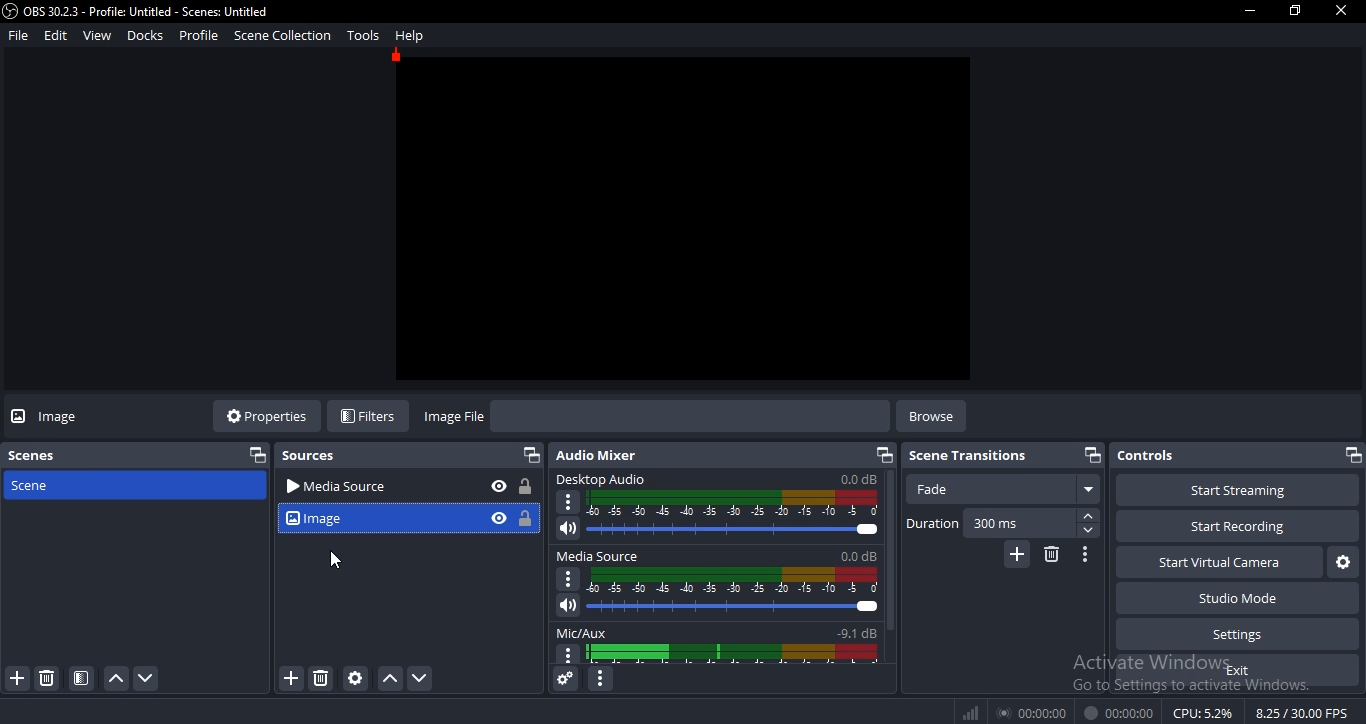 The image size is (1366, 724). Describe the element at coordinates (318, 679) in the screenshot. I see `remove sources` at that location.